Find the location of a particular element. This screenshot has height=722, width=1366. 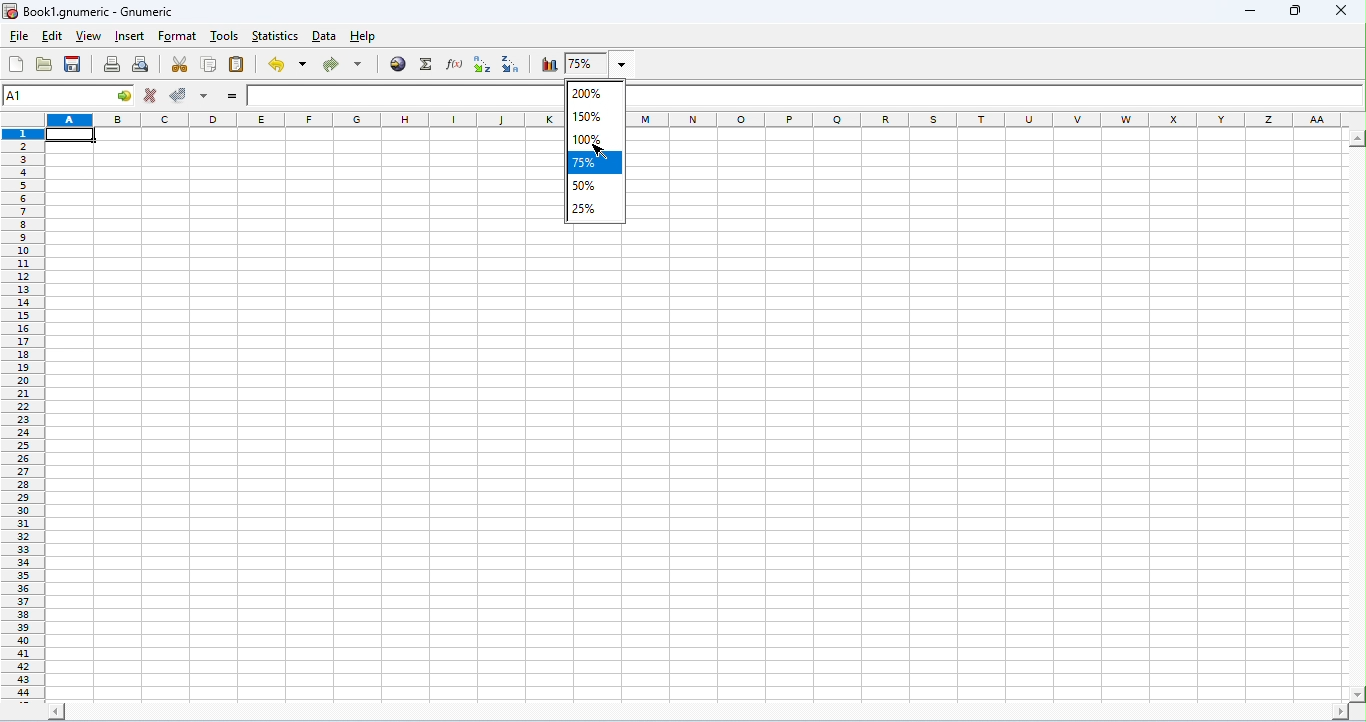

edit is located at coordinates (51, 37).